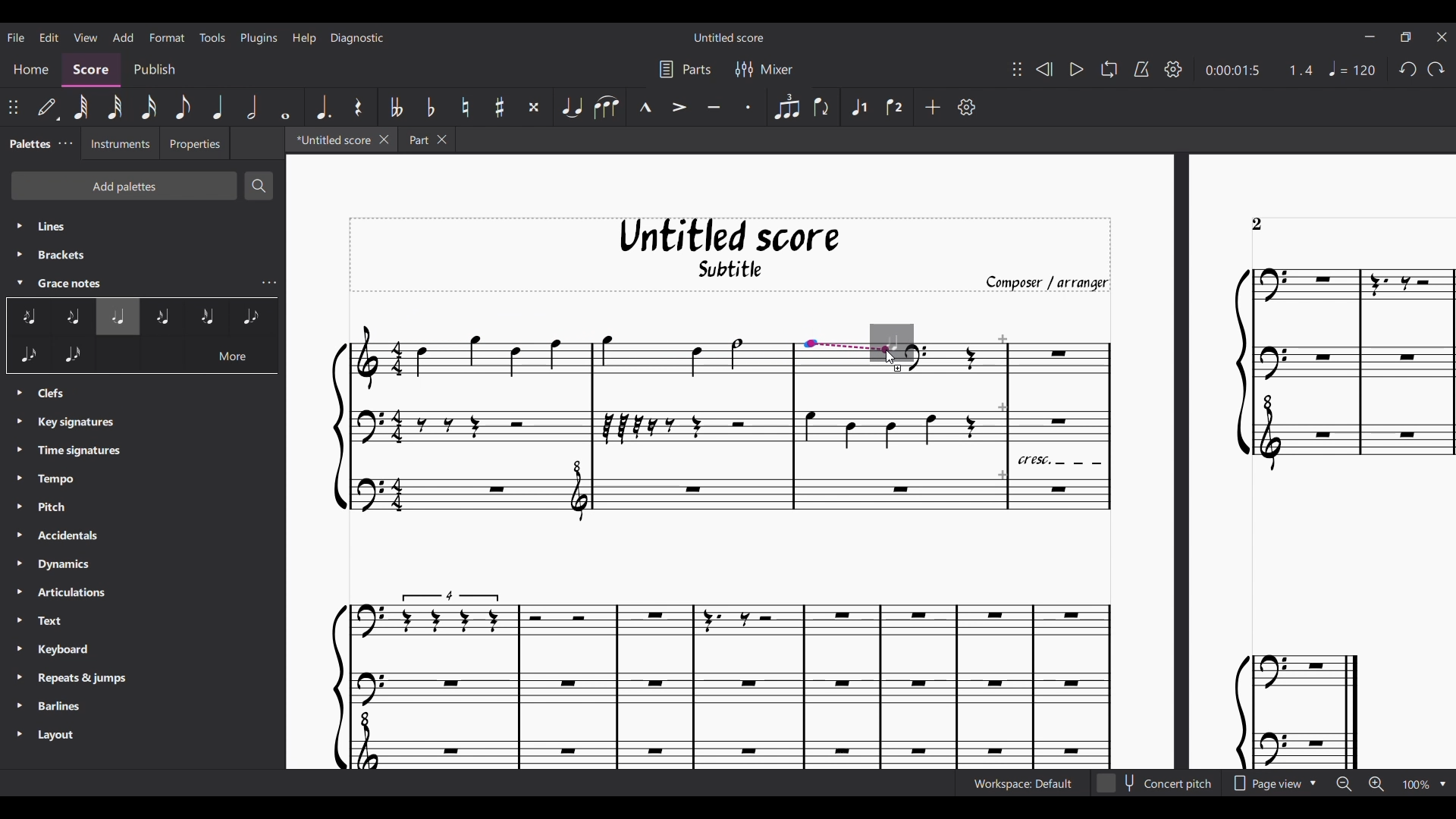  I want to click on Staccato, so click(749, 106).